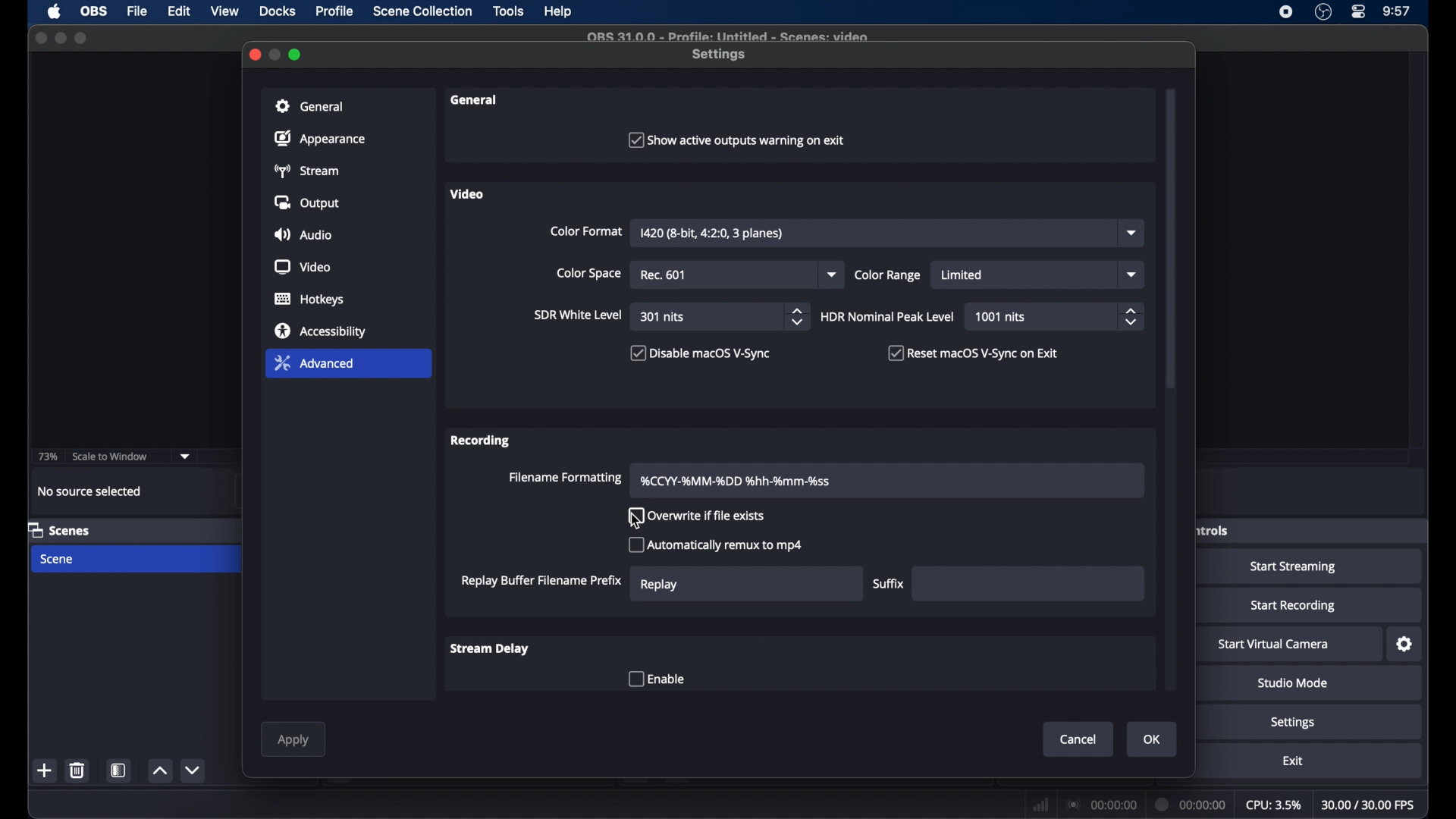 Image resolution: width=1456 pixels, height=819 pixels. What do you see at coordinates (60, 529) in the screenshot?
I see `scenes` at bounding box center [60, 529].